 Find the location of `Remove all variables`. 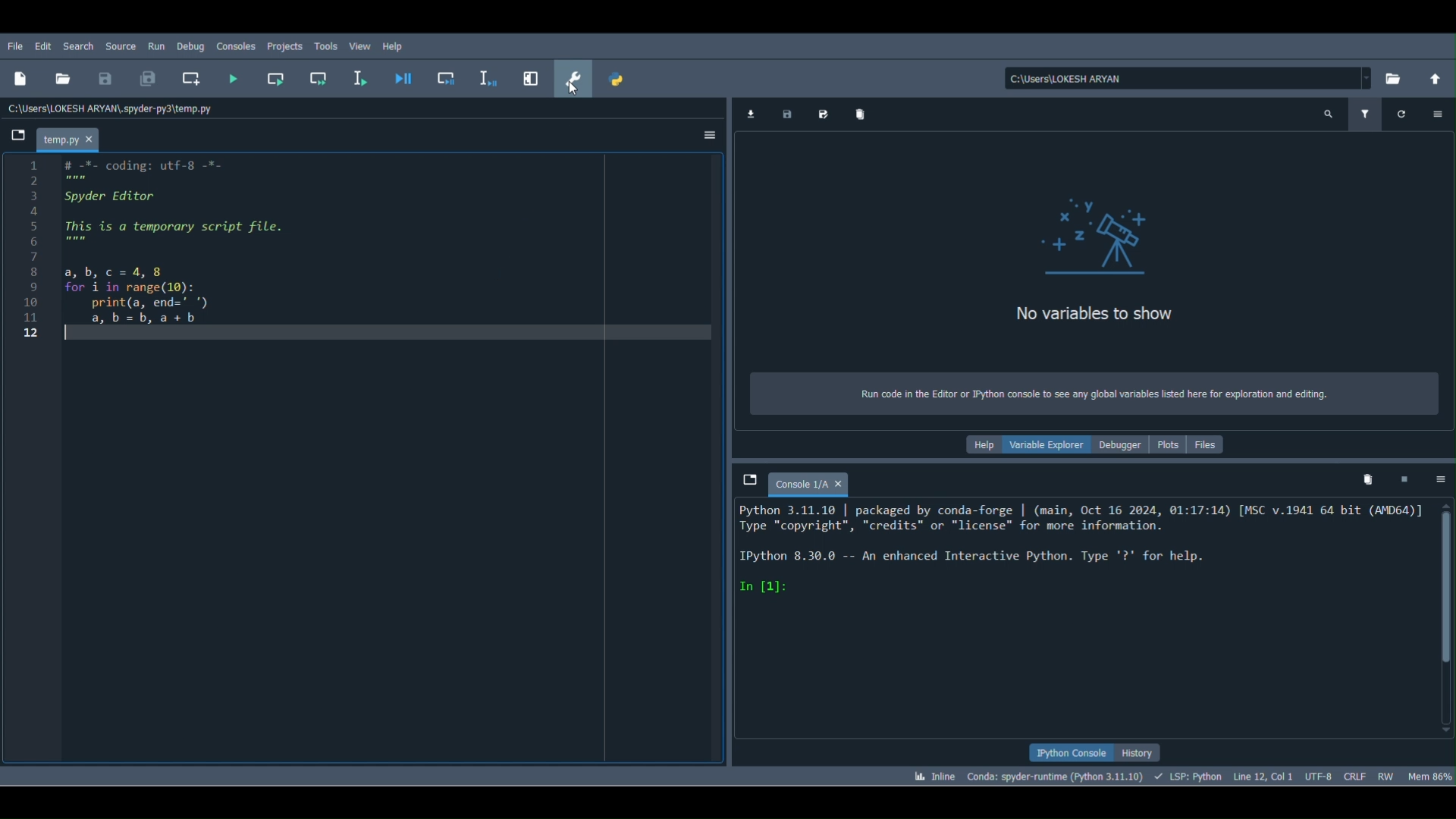

Remove all variables is located at coordinates (857, 112).